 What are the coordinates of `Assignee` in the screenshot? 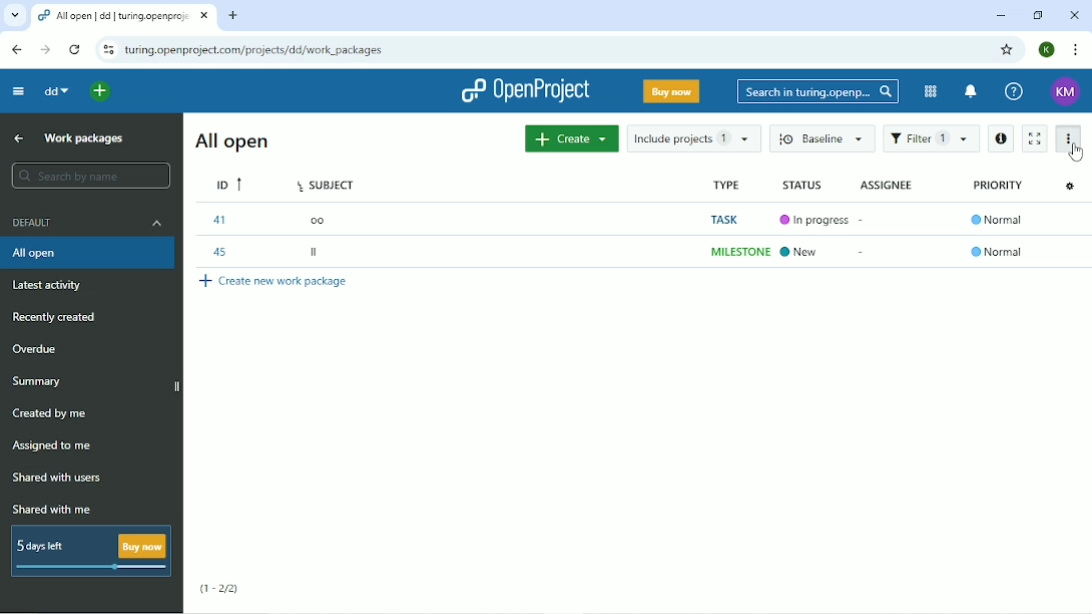 It's located at (888, 185).